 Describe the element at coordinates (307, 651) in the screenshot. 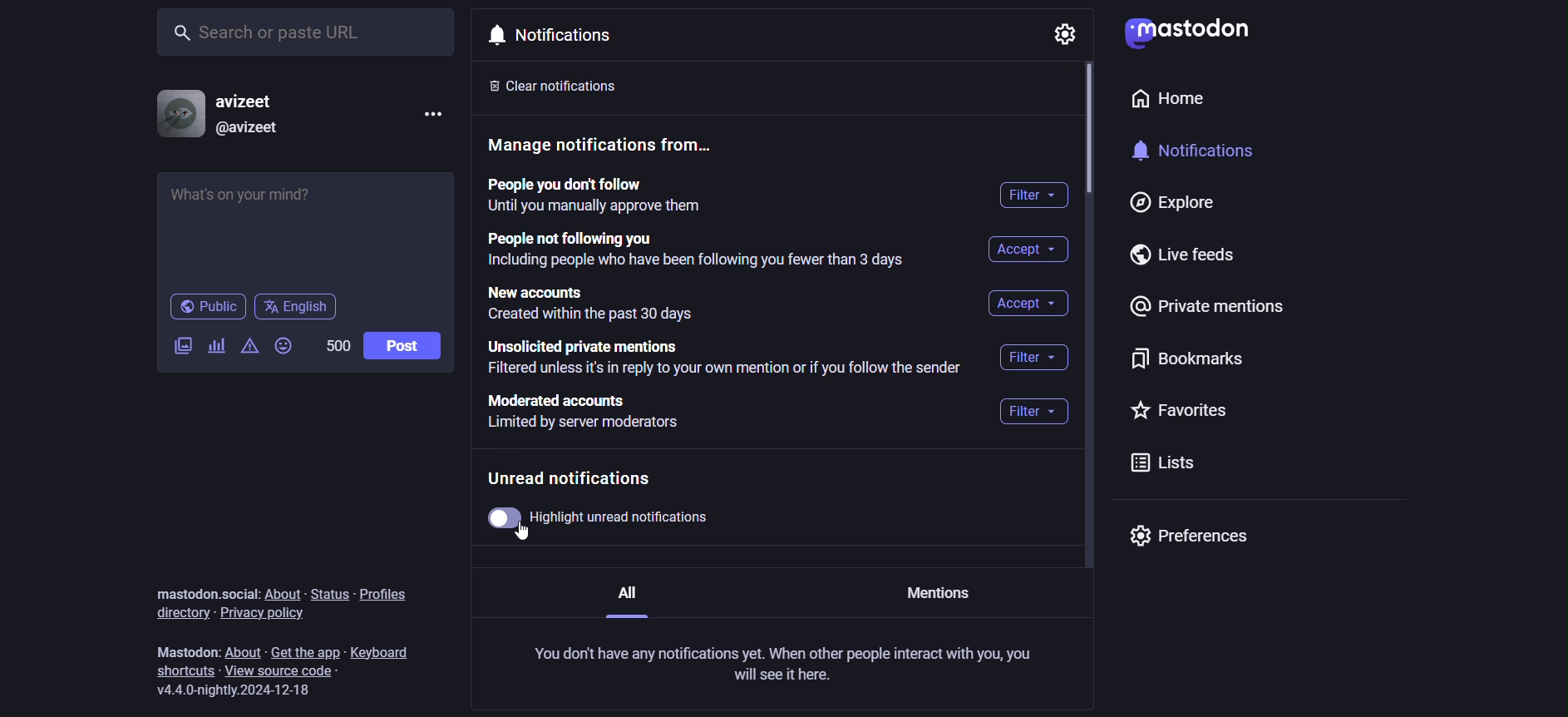

I see `get the app` at that location.